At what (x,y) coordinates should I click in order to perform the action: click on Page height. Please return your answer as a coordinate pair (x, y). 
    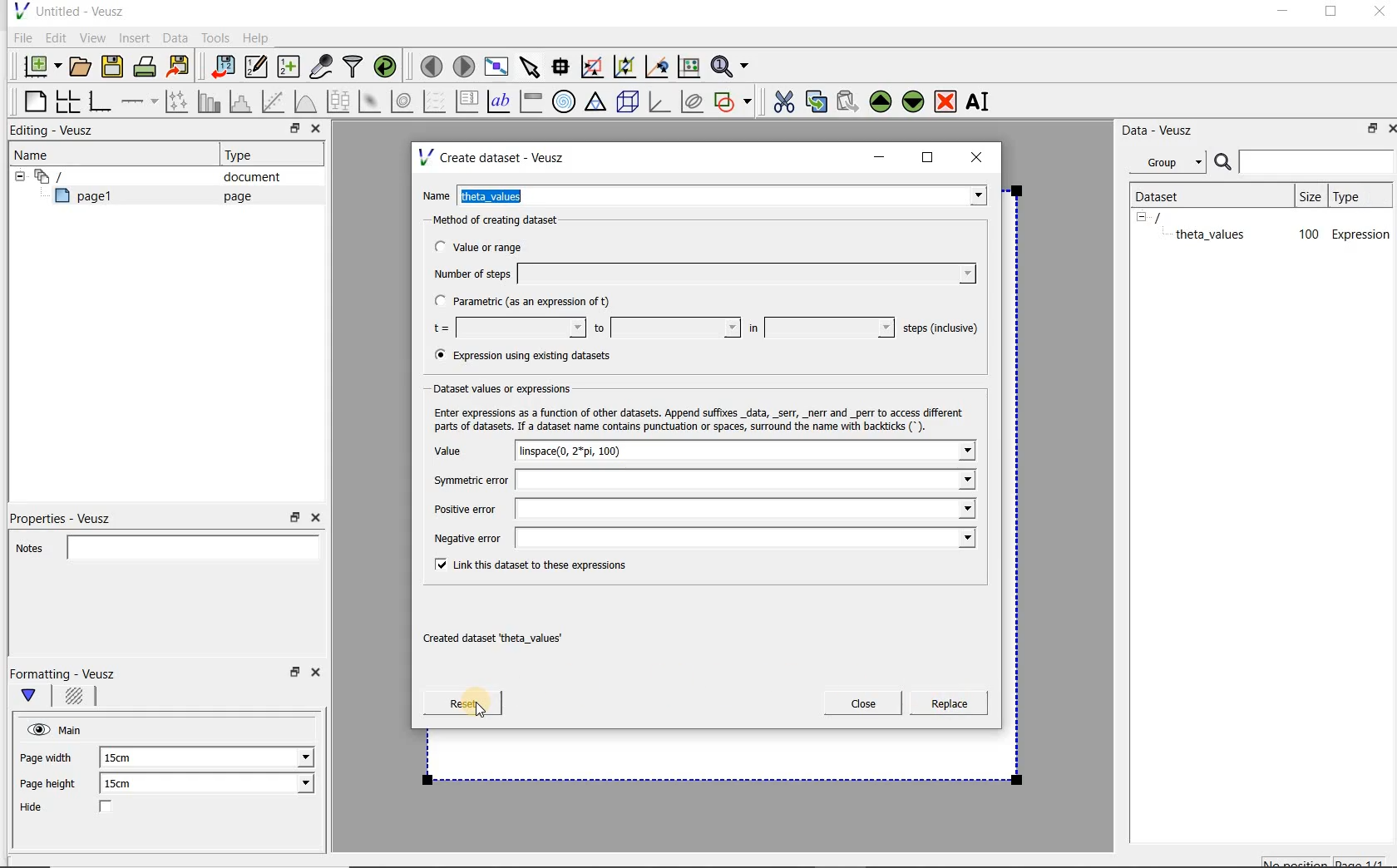
    Looking at the image, I should click on (53, 786).